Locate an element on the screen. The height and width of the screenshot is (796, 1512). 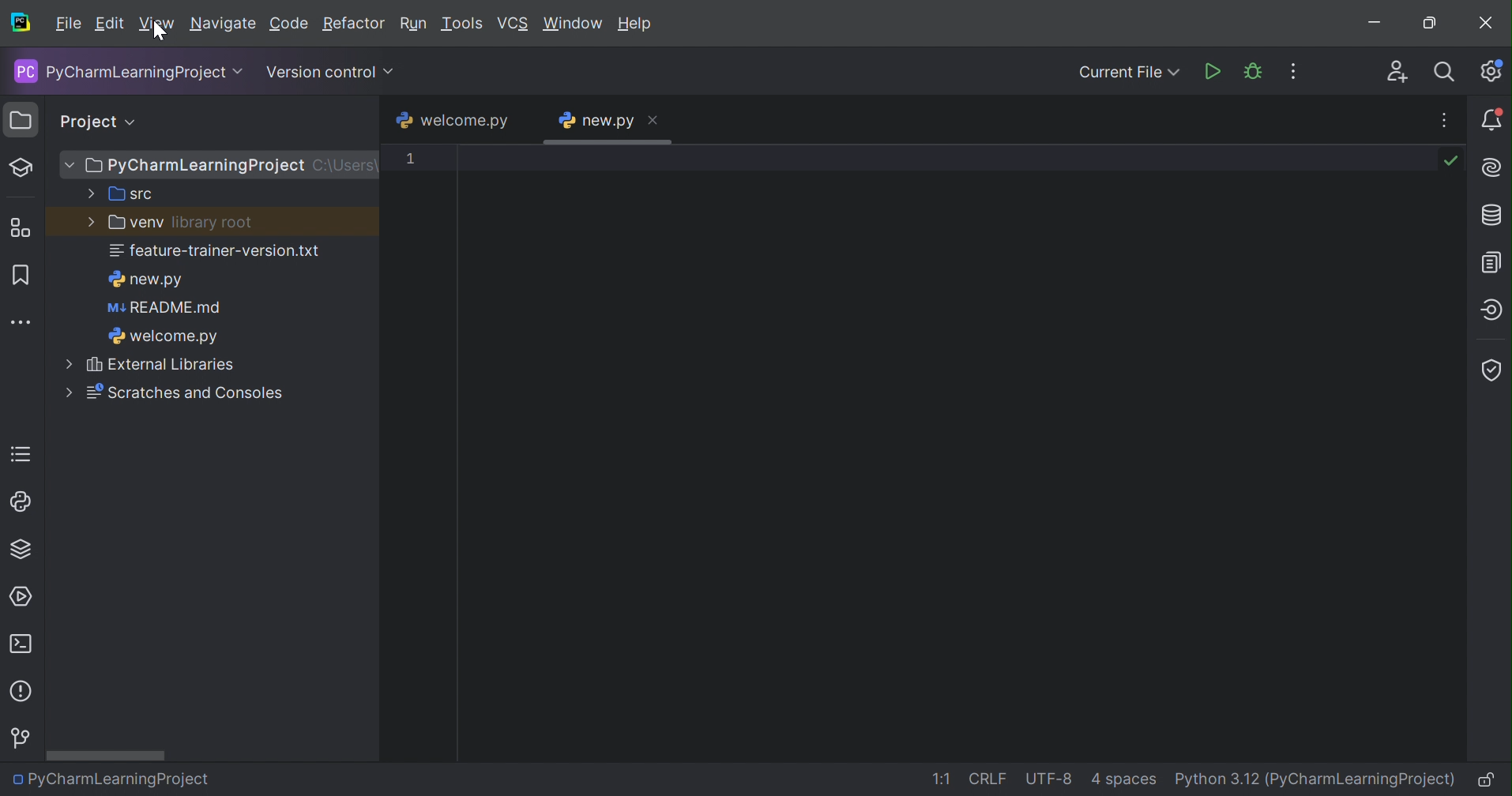
Restore down is located at coordinates (1435, 24).